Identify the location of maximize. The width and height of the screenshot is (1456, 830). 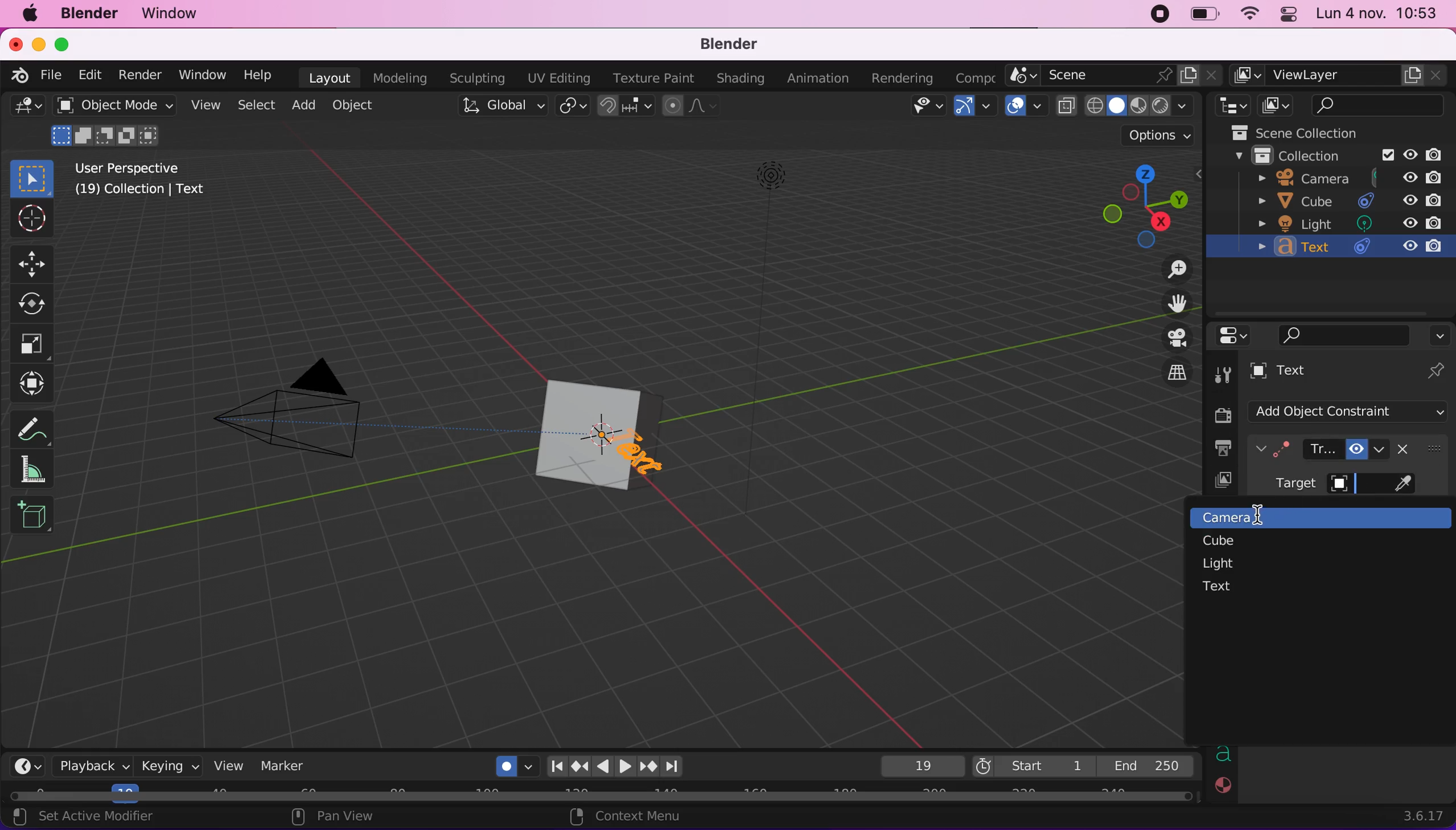
(64, 43).